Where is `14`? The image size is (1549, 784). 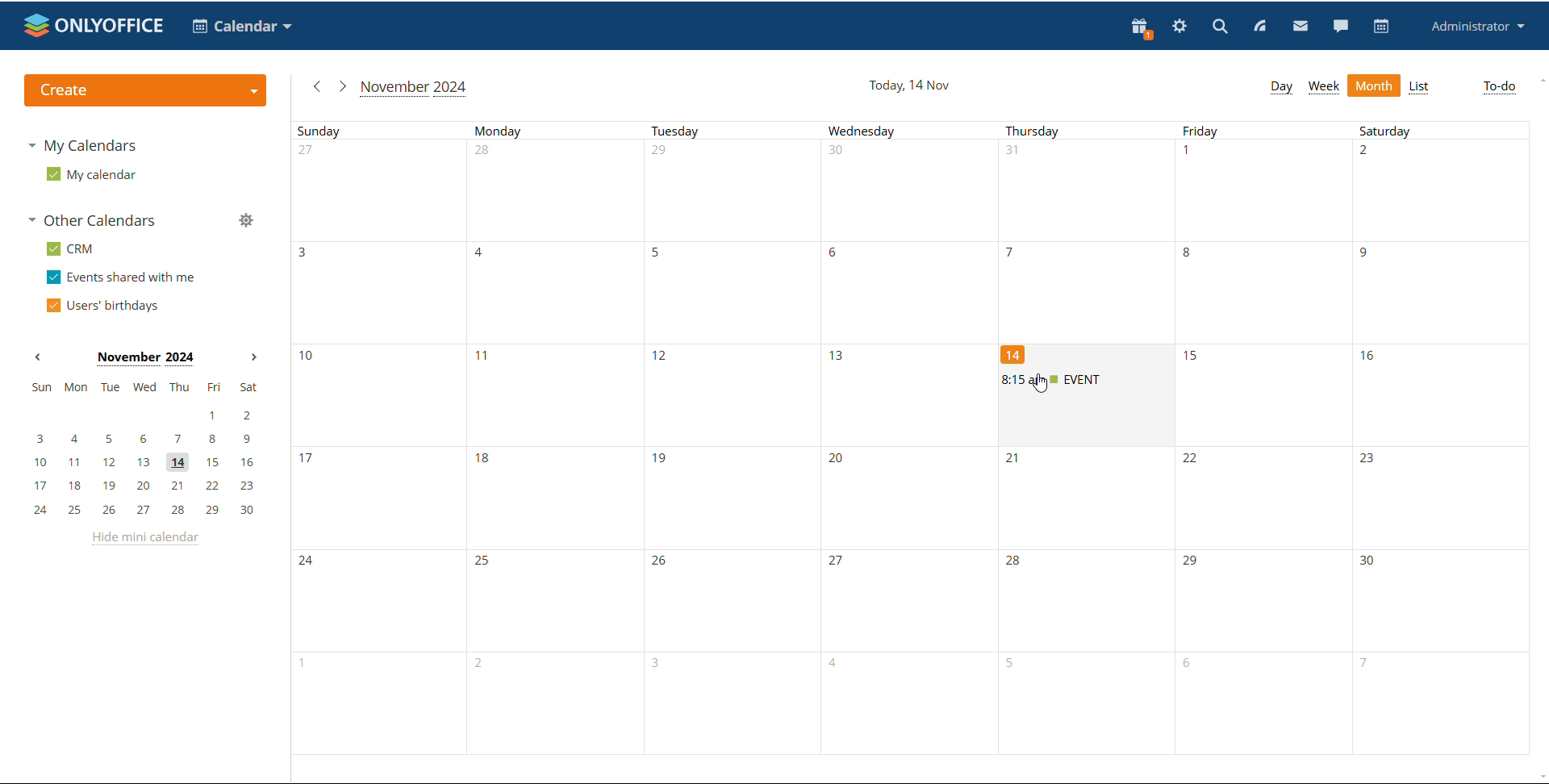
14 is located at coordinates (1014, 353).